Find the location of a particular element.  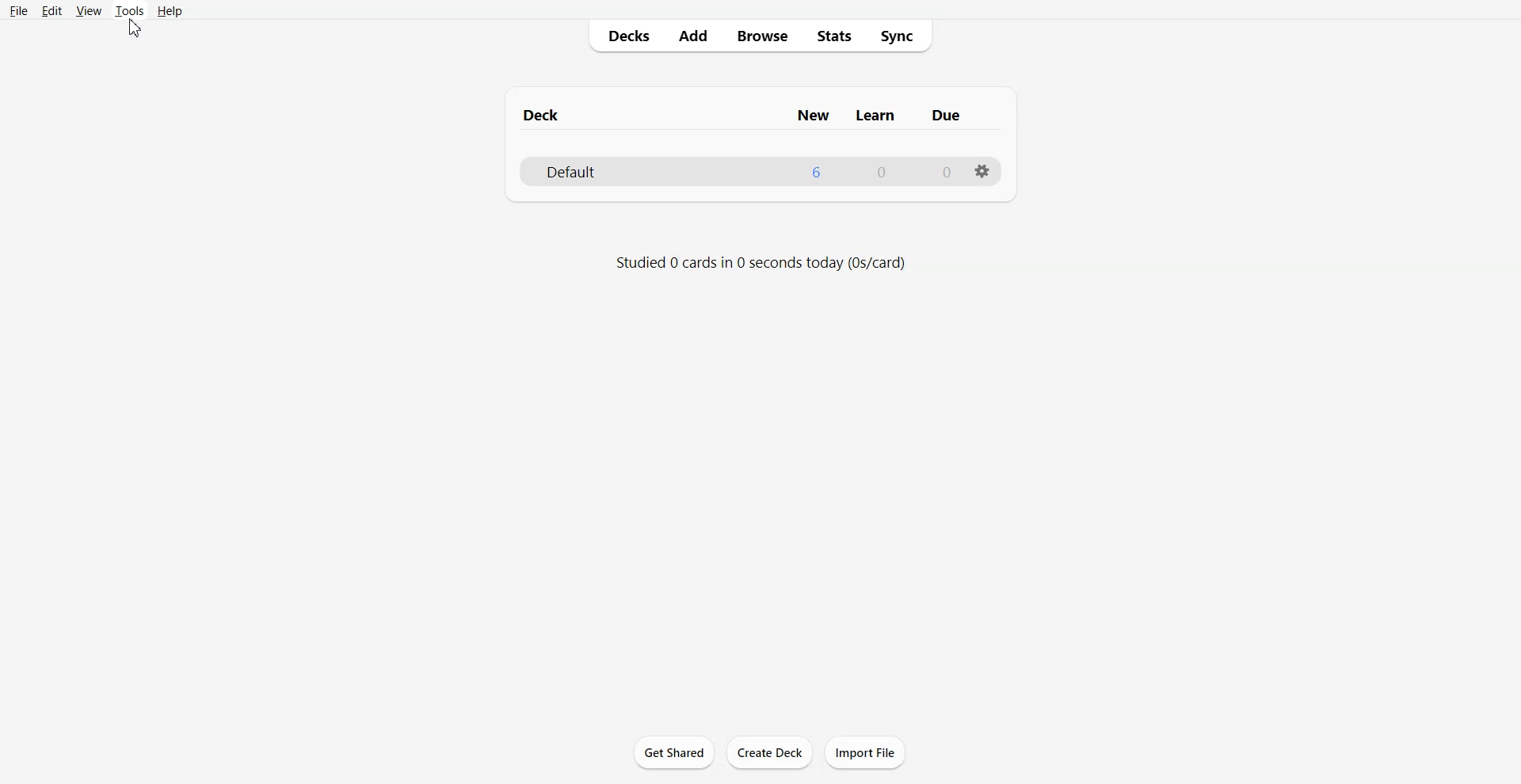

Browse is located at coordinates (764, 36).